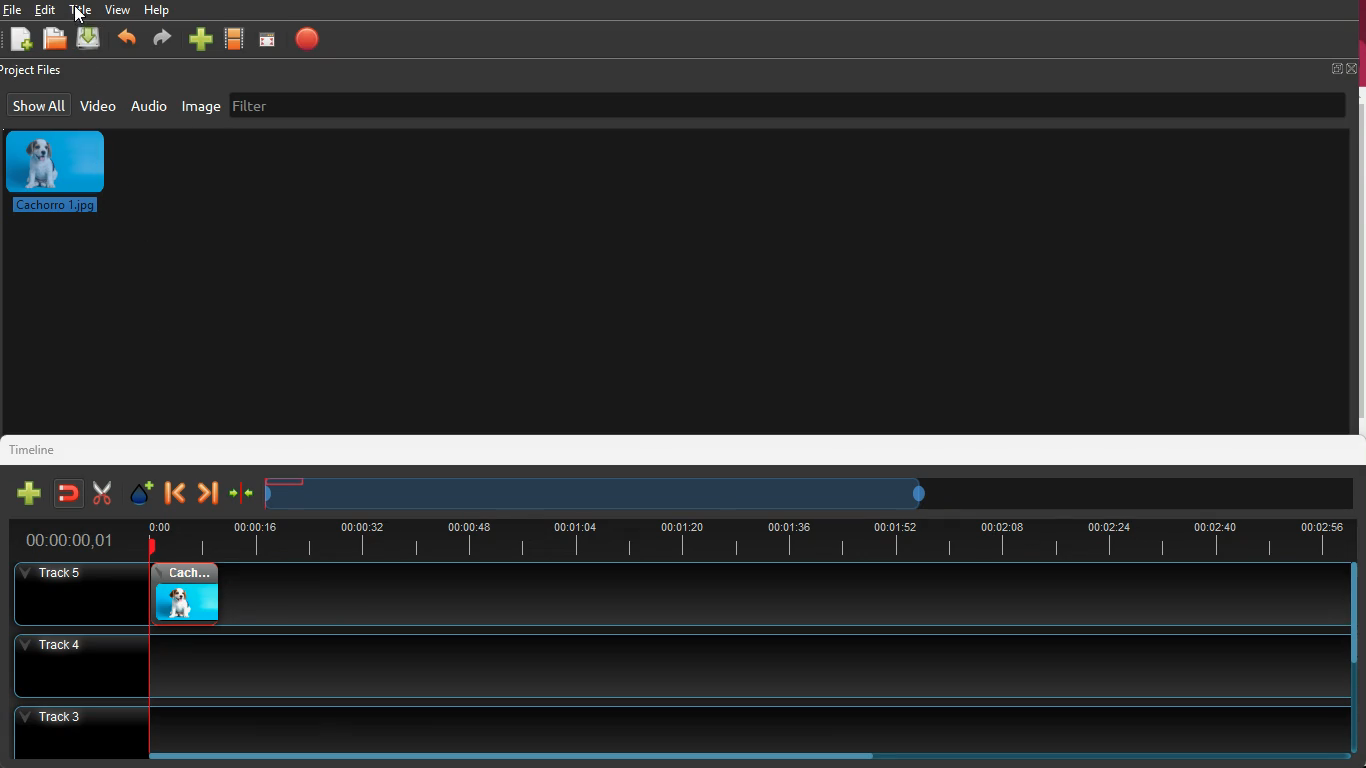  Describe the element at coordinates (83, 9) in the screenshot. I see `title` at that location.